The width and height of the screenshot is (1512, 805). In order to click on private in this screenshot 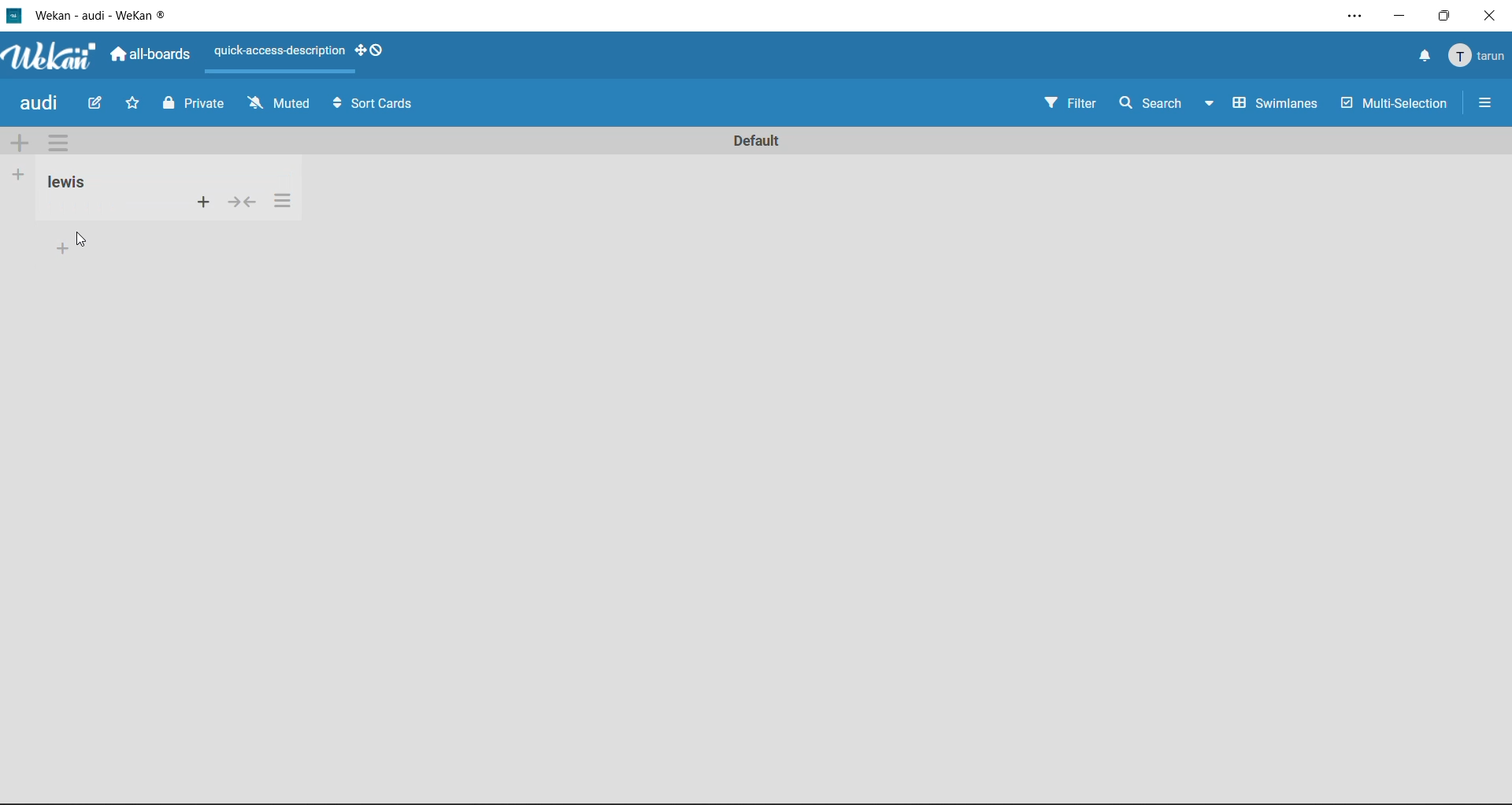, I will do `click(192, 106)`.